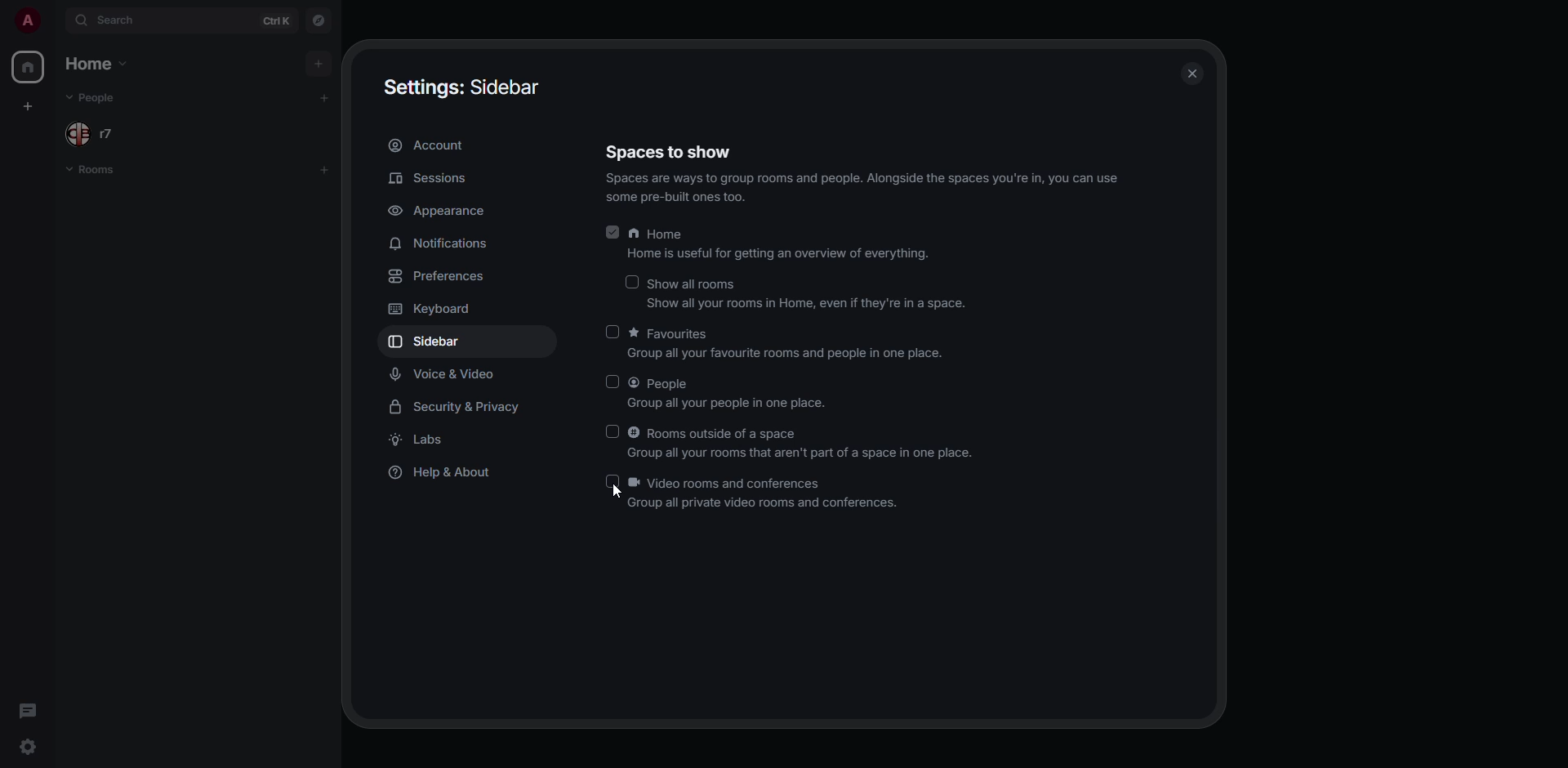 The height and width of the screenshot is (768, 1568). Describe the element at coordinates (677, 150) in the screenshot. I see `Spaces to show` at that location.